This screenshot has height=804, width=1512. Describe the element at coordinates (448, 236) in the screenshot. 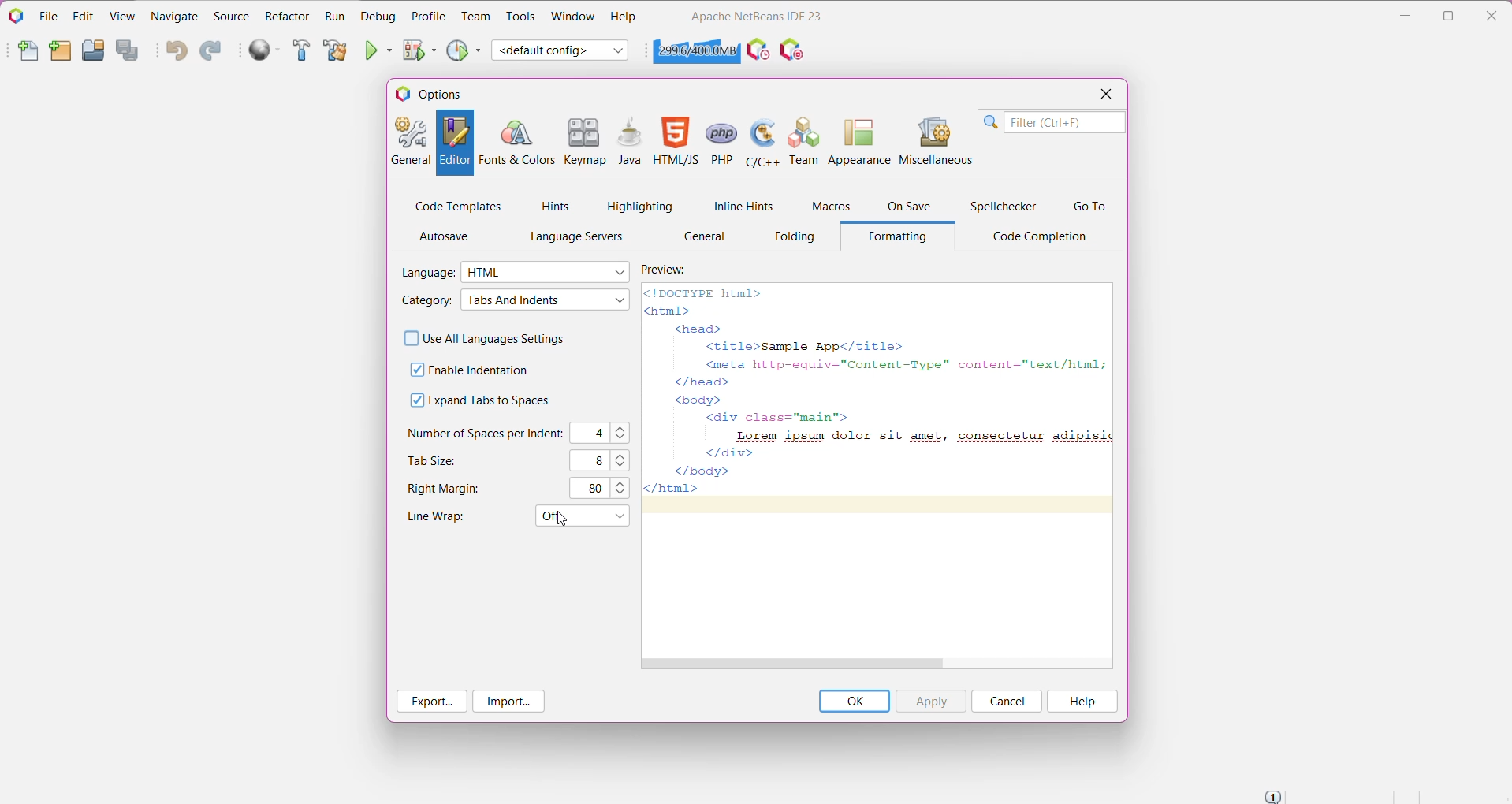

I see `AutoSave` at that location.